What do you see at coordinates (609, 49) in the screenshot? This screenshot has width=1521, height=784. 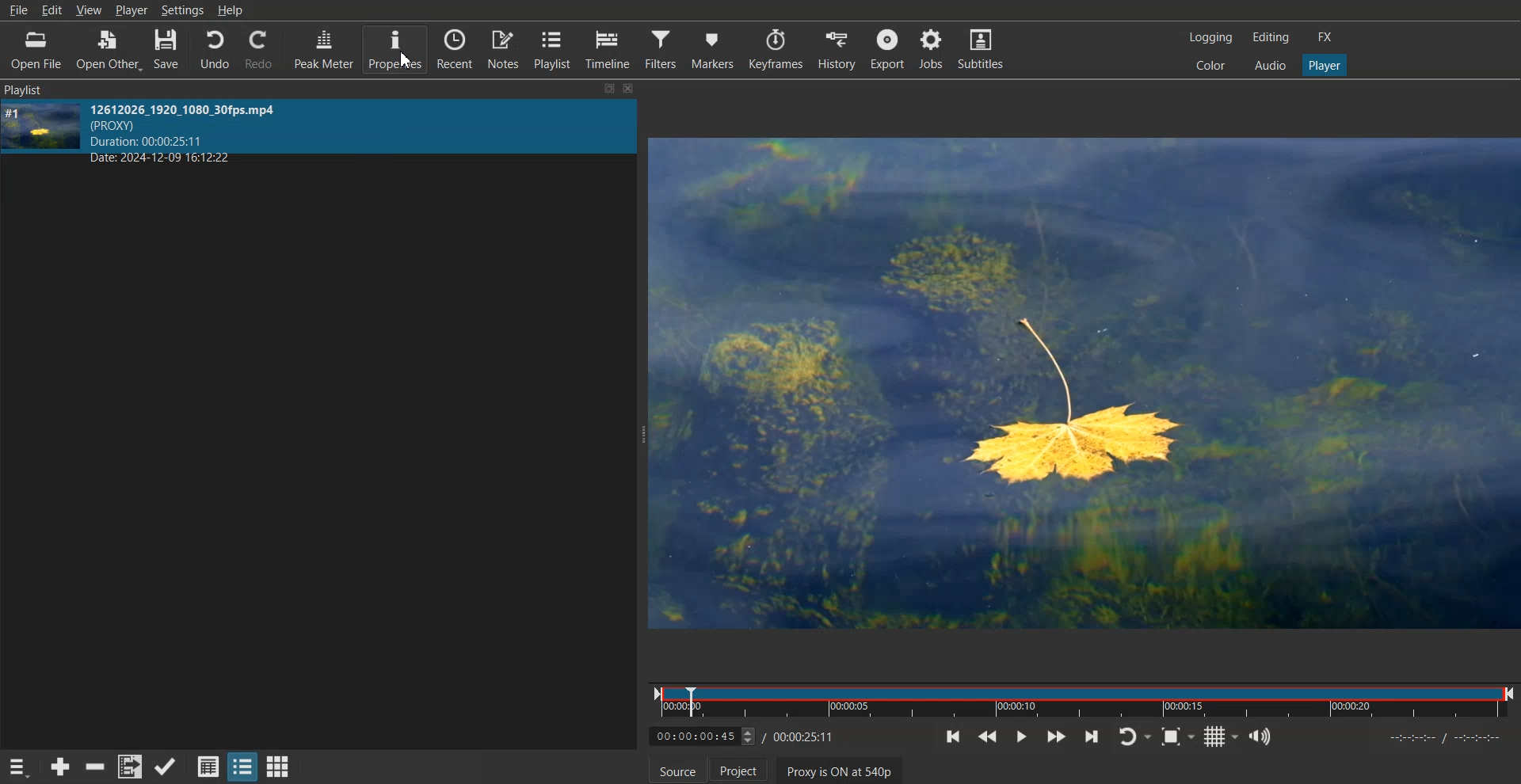 I see `Timeline` at bounding box center [609, 49].